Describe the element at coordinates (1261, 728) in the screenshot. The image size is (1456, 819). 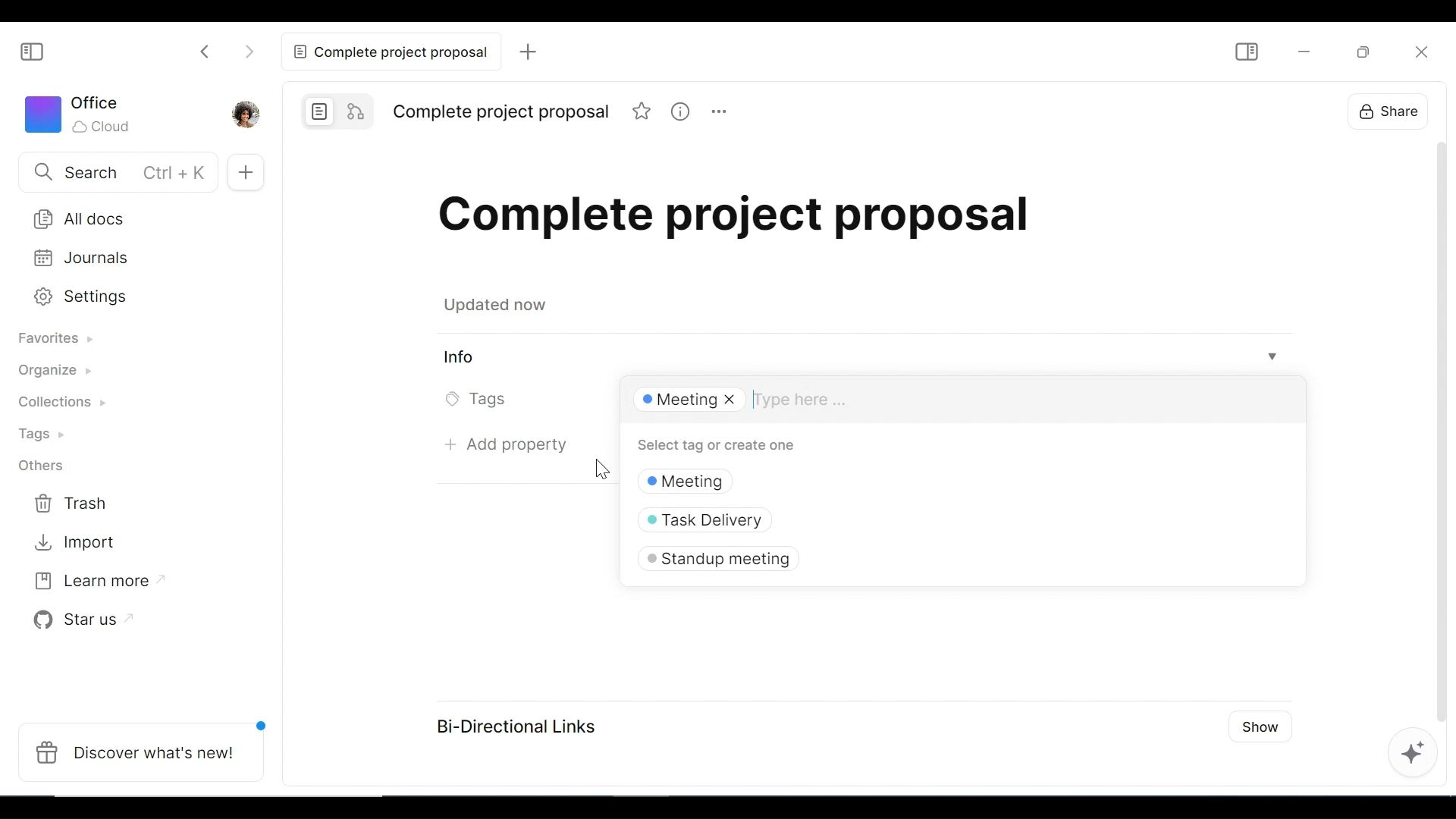
I see `Show` at that location.